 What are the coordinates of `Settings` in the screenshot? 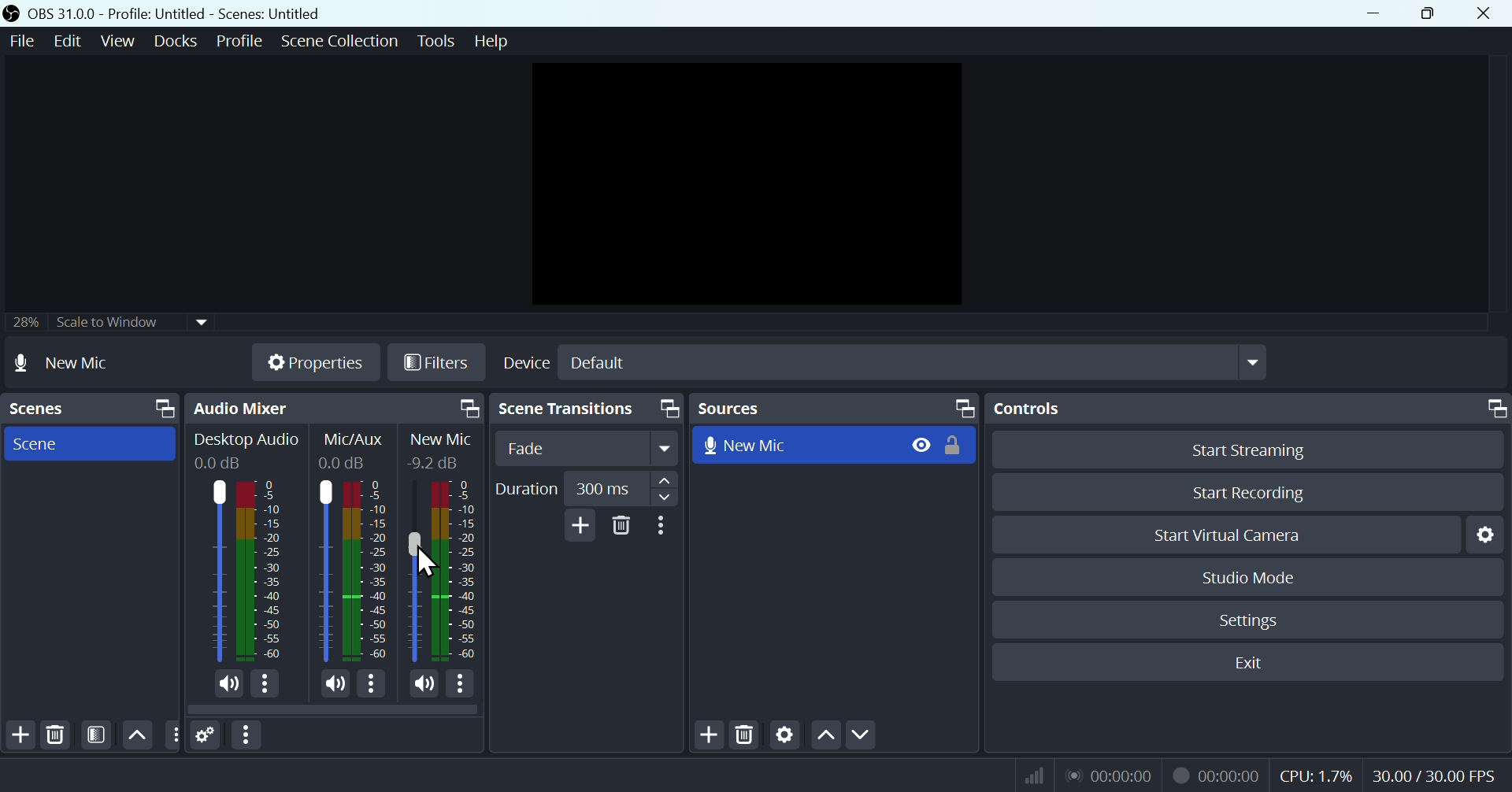 It's located at (1490, 534).